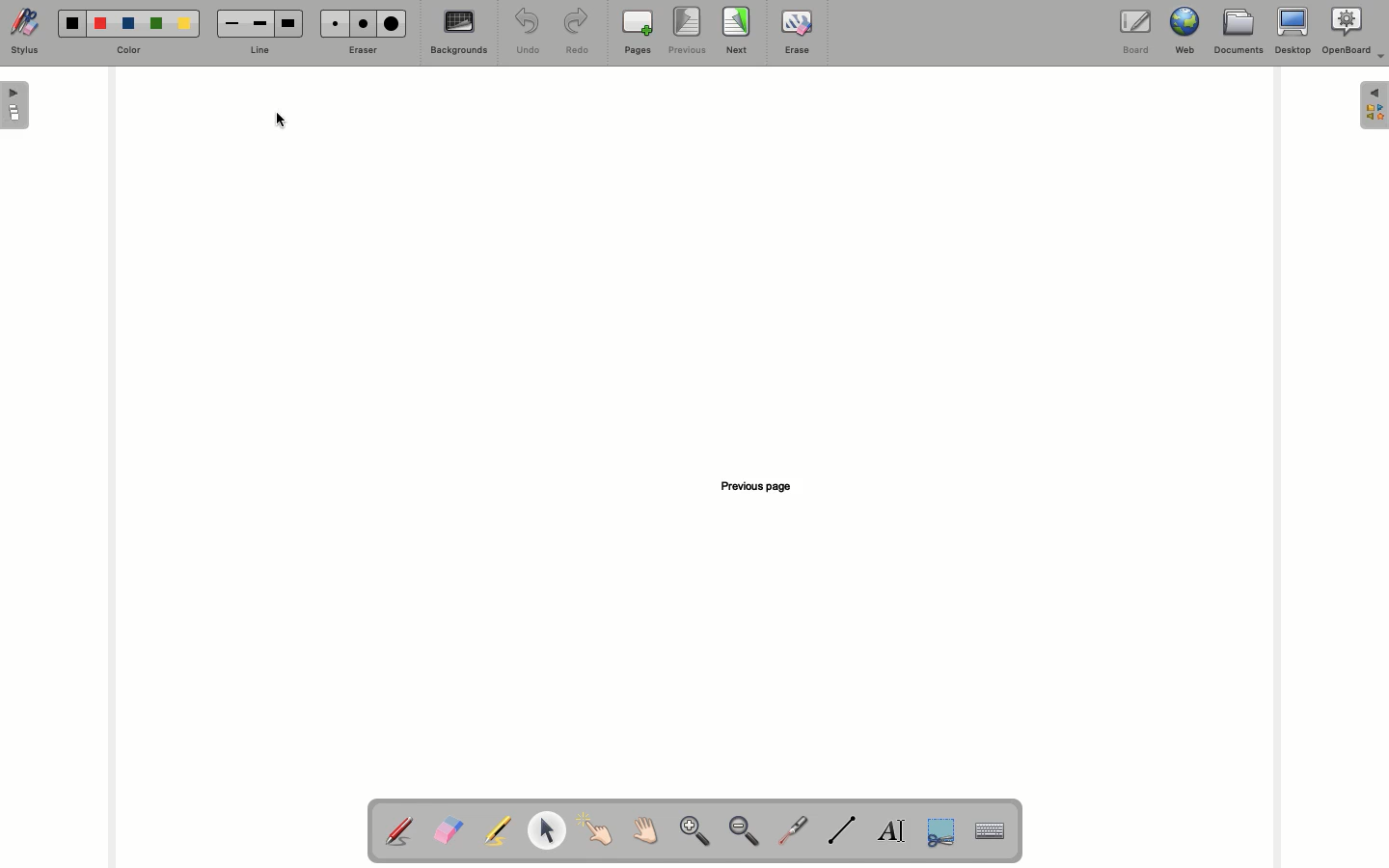  I want to click on Color, so click(128, 51).